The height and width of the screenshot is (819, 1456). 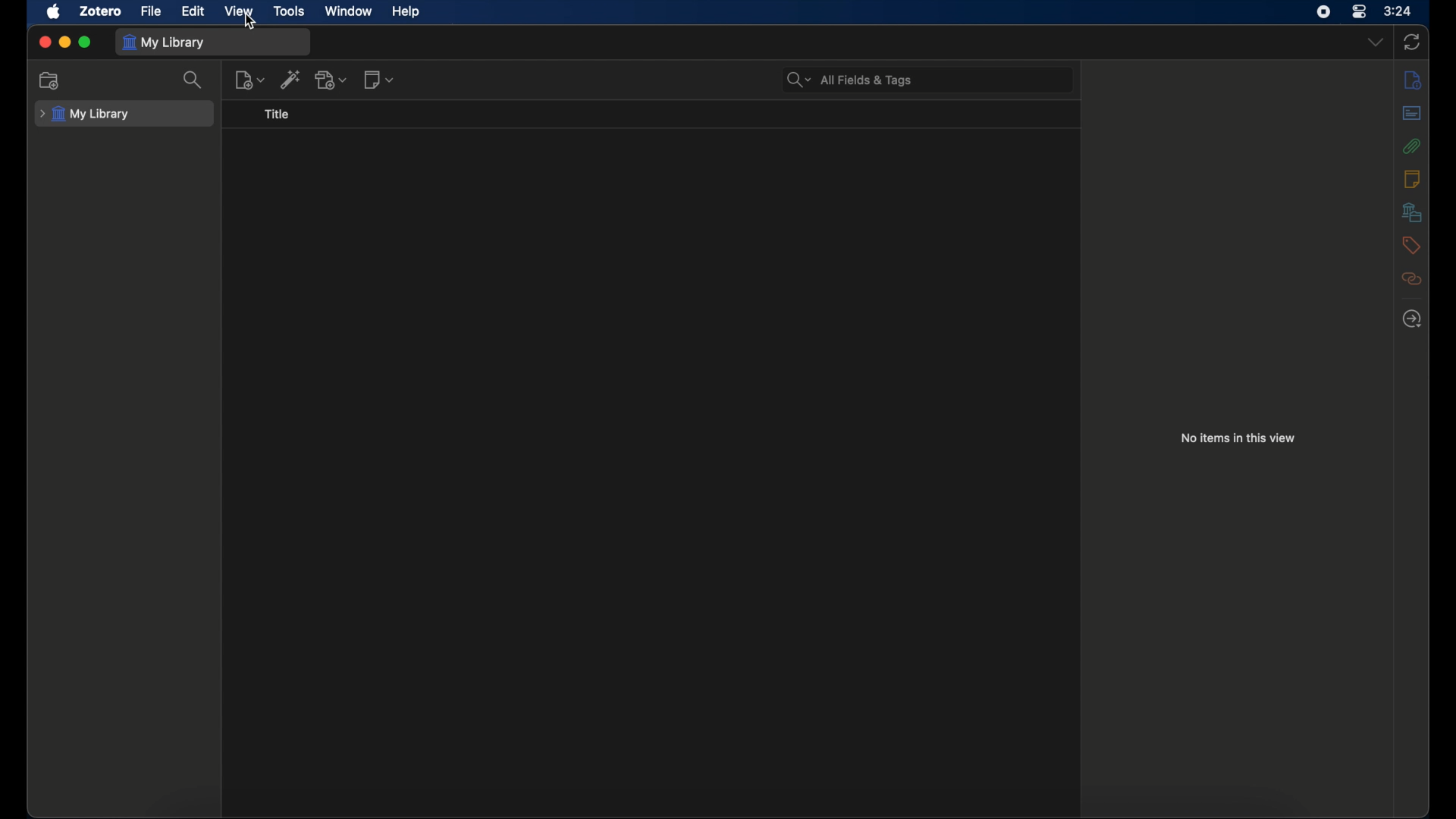 What do you see at coordinates (379, 80) in the screenshot?
I see `new note` at bounding box center [379, 80].